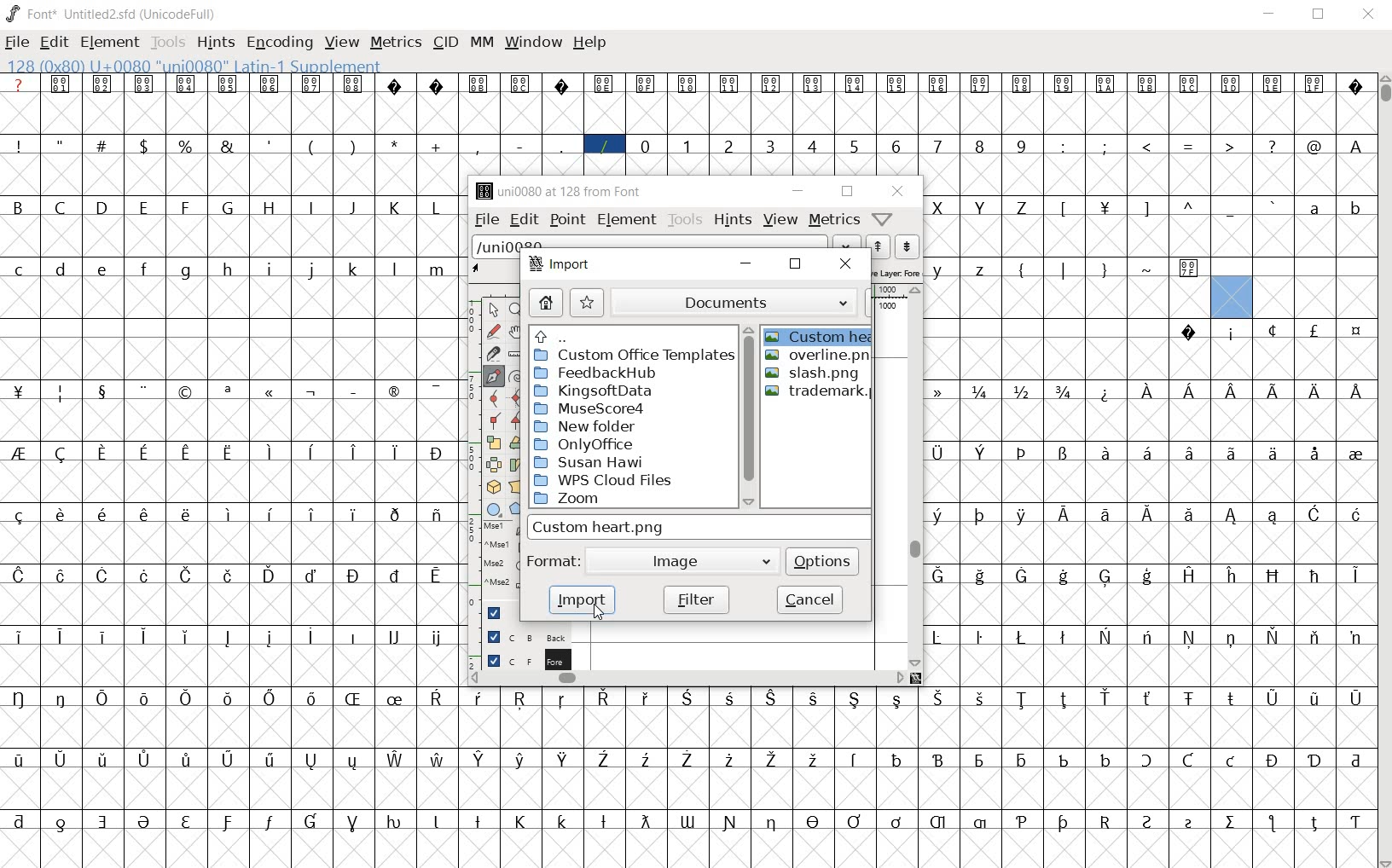 The height and width of the screenshot is (868, 1392). I want to click on glyph, so click(271, 269).